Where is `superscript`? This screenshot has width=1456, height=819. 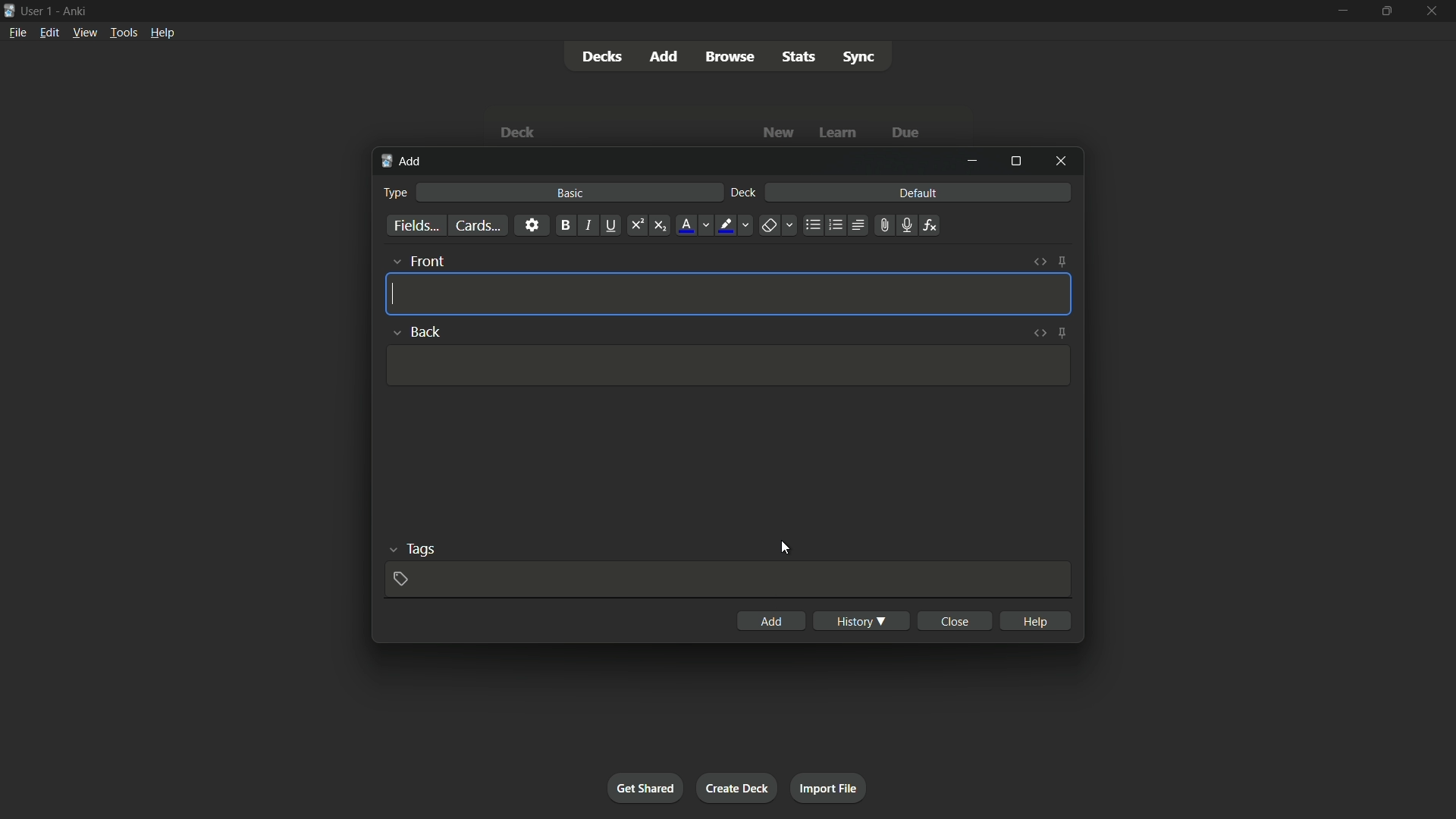 superscript is located at coordinates (636, 224).